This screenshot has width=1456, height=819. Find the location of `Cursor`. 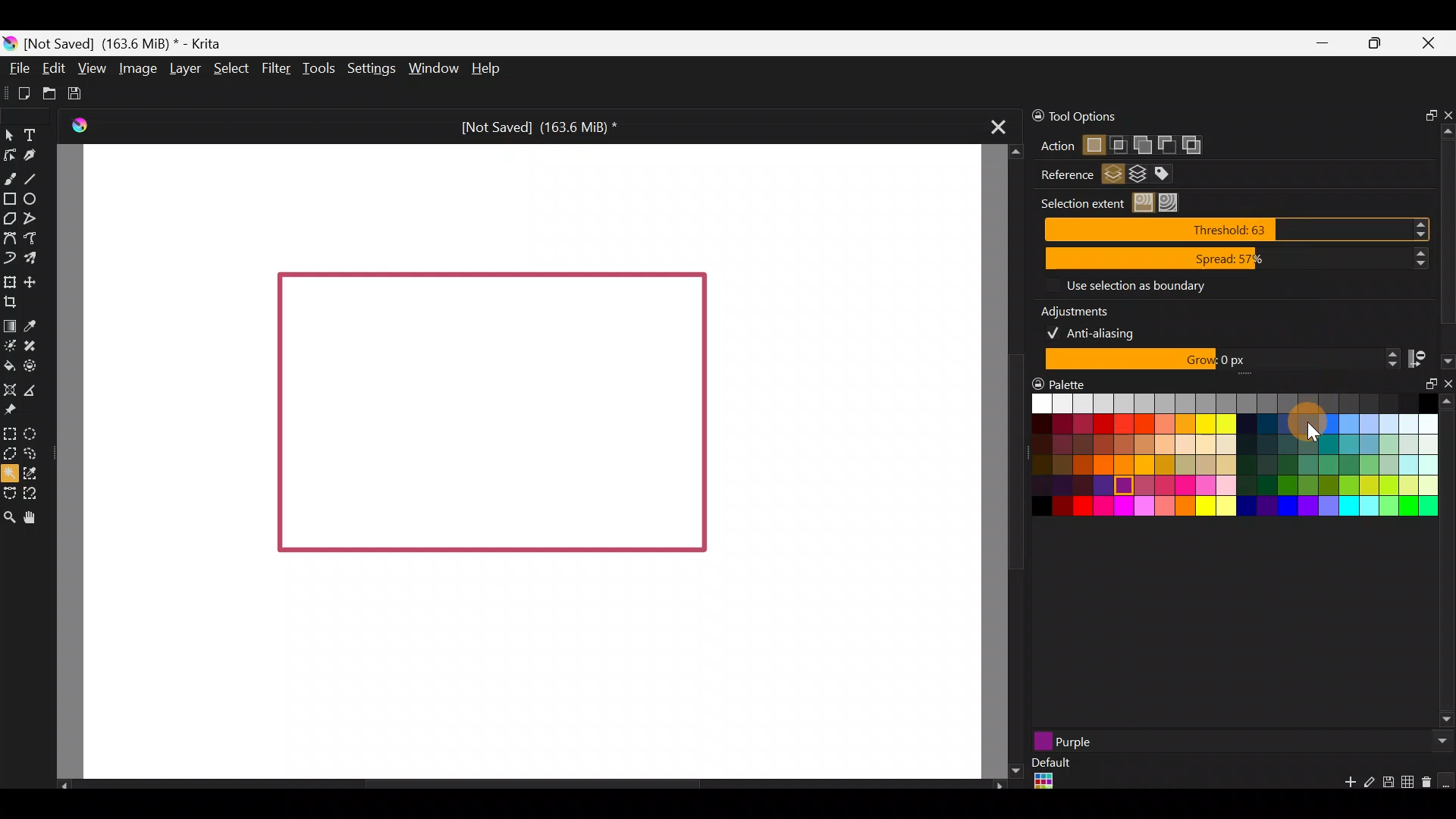

Cursor is located at coordinates (1309, 422).